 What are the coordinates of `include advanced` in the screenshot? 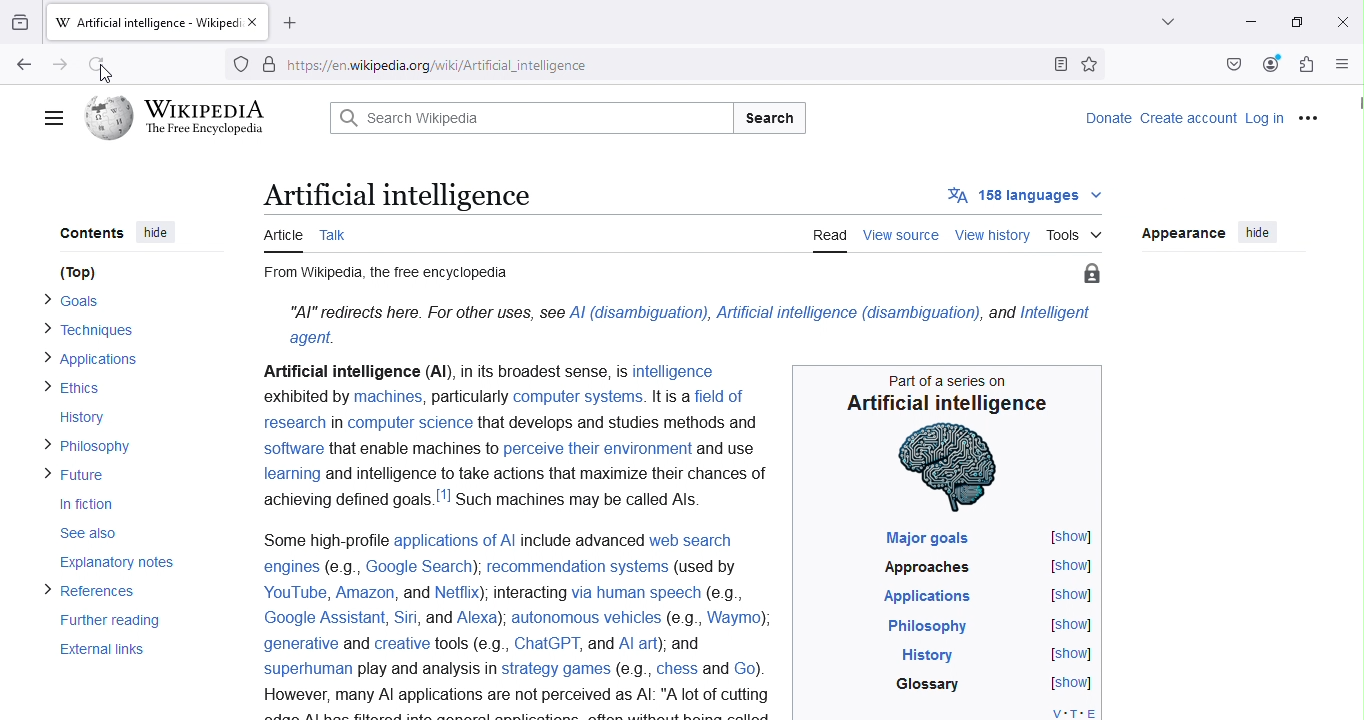 It's located at (584, 541).